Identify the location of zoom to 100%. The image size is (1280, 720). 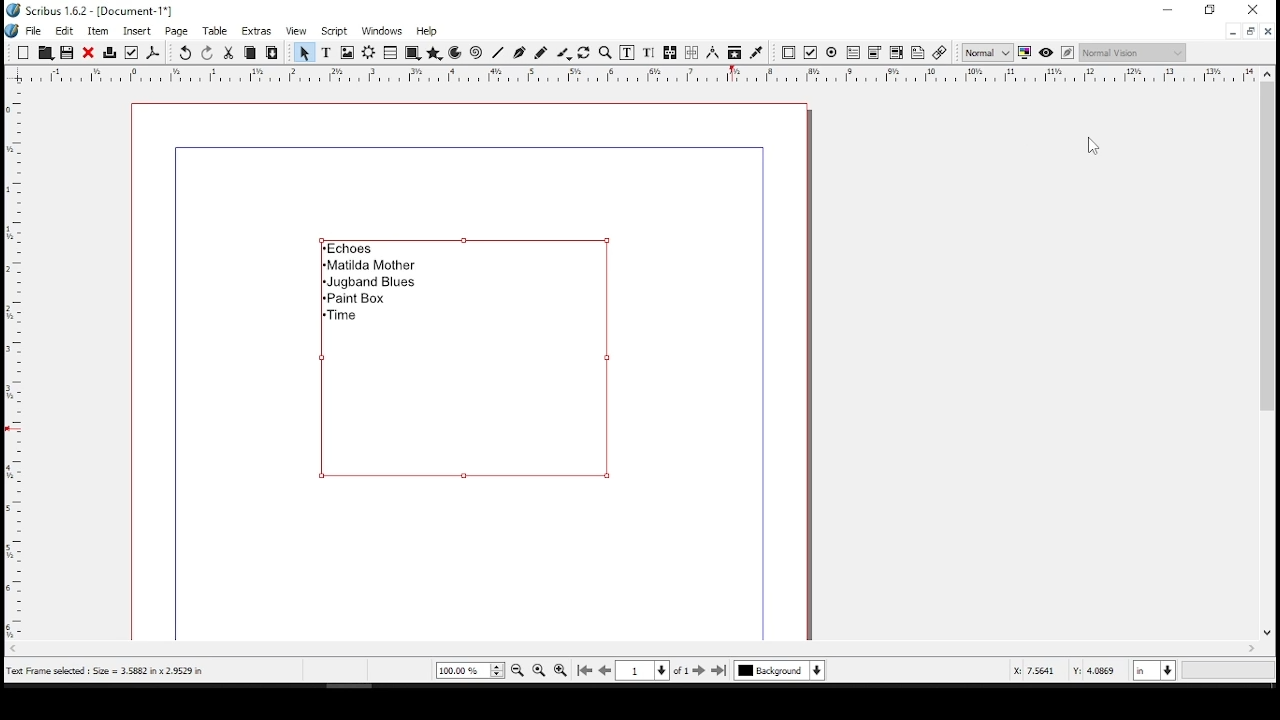
(539, 669).